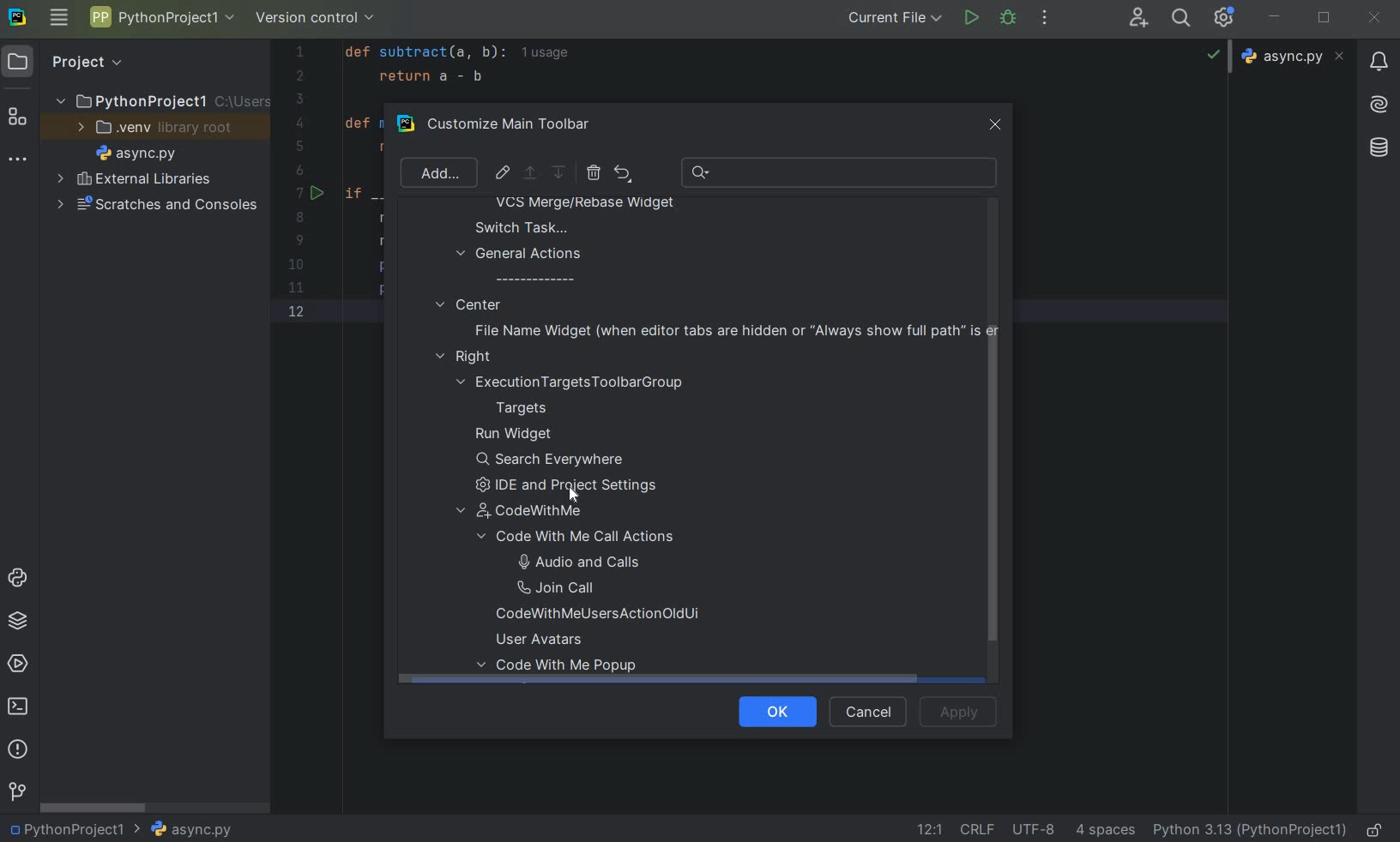 The image size is (1400, 842). What do you see at coordinates (841, 172) in the screenshot?
I see `RECENT SEARCH` at bounding box center [841, 172].